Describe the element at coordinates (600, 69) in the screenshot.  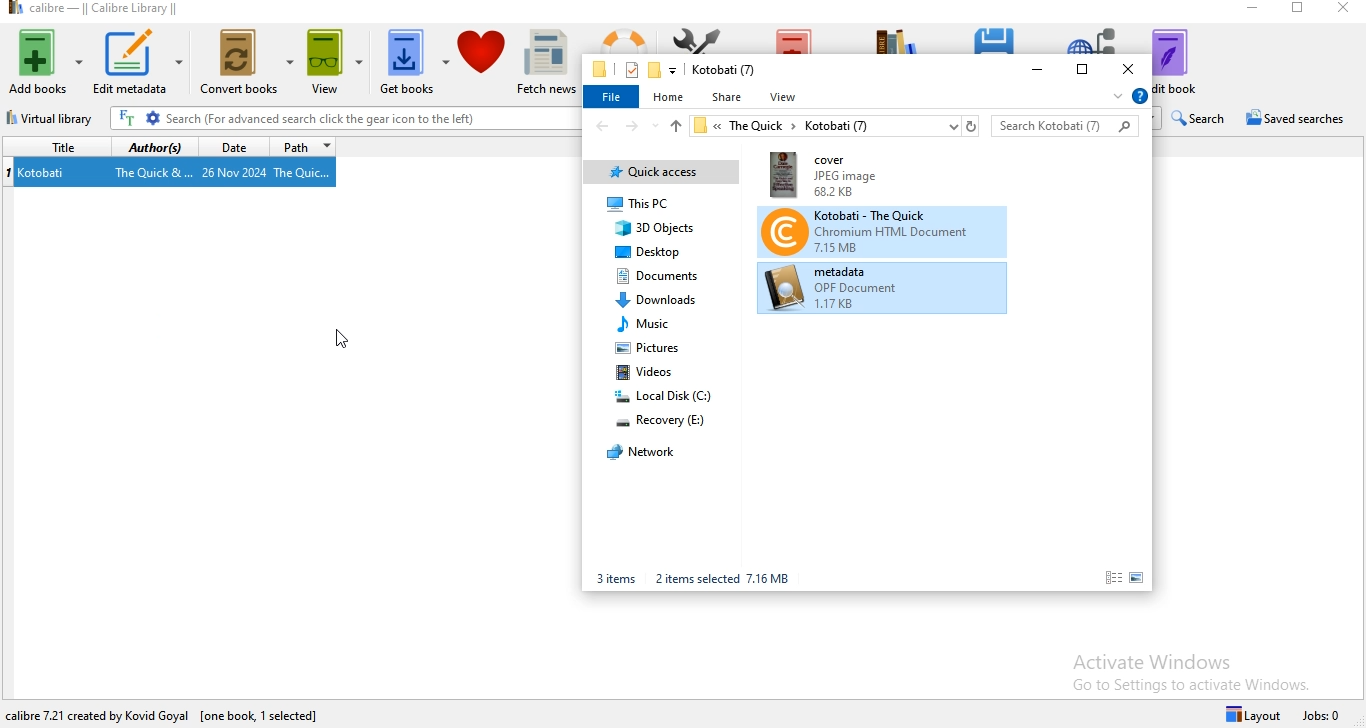
I see `file logo` at that location.